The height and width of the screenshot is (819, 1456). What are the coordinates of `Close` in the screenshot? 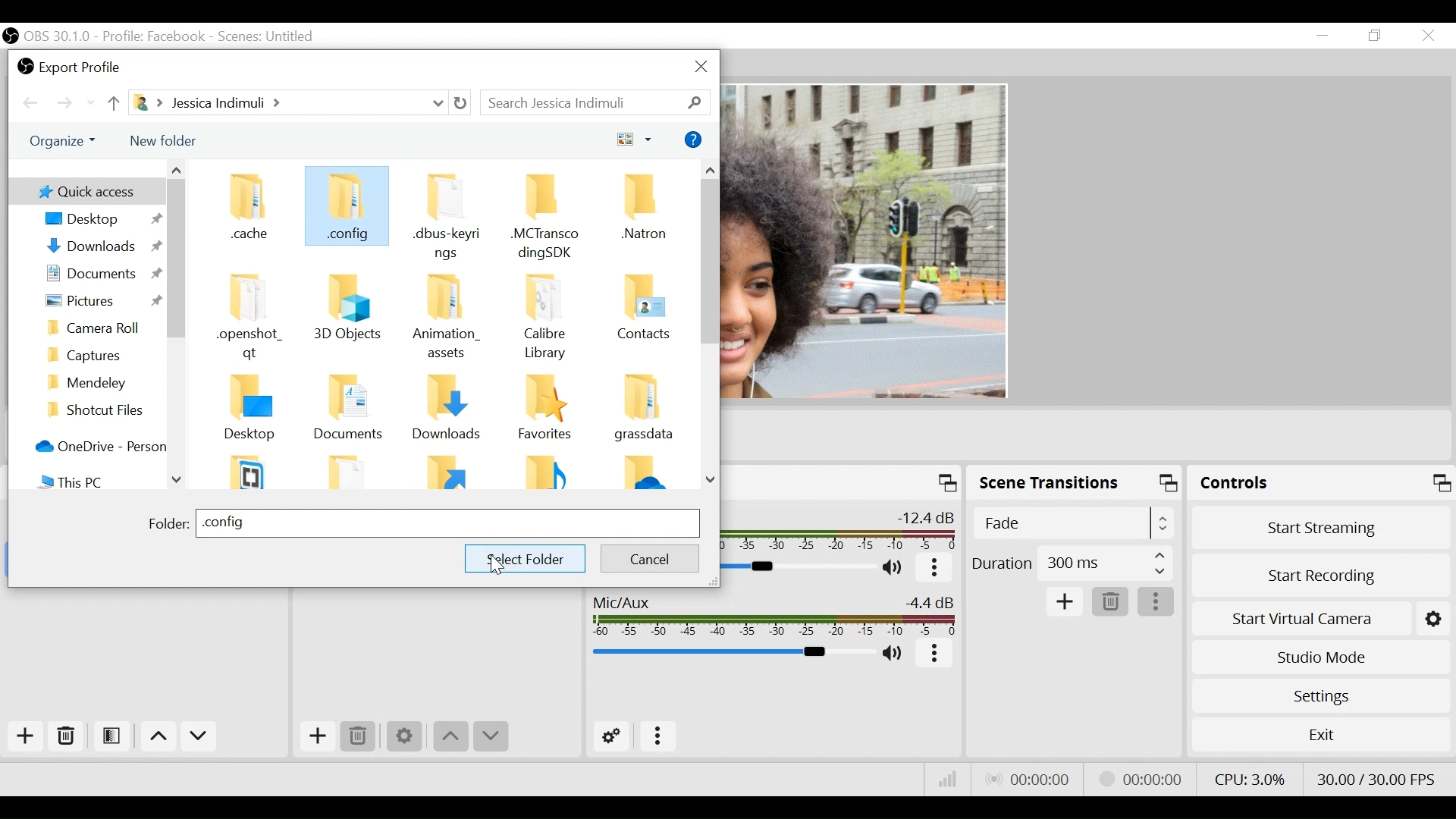 It's located at (702, 67).